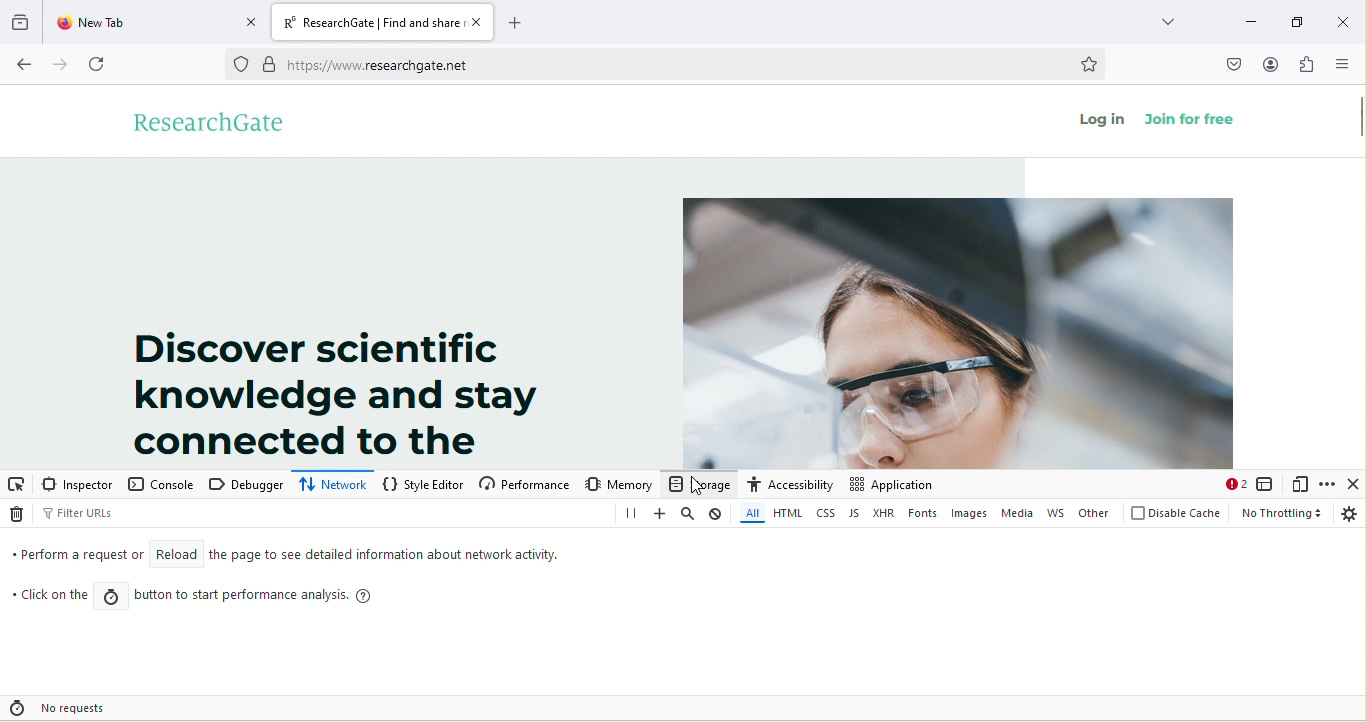 This screenshot has height=722, width=1366. What do you see at coordinates (22, 62) in the screenshot?
I see `back` at bounding box center [22, 62].